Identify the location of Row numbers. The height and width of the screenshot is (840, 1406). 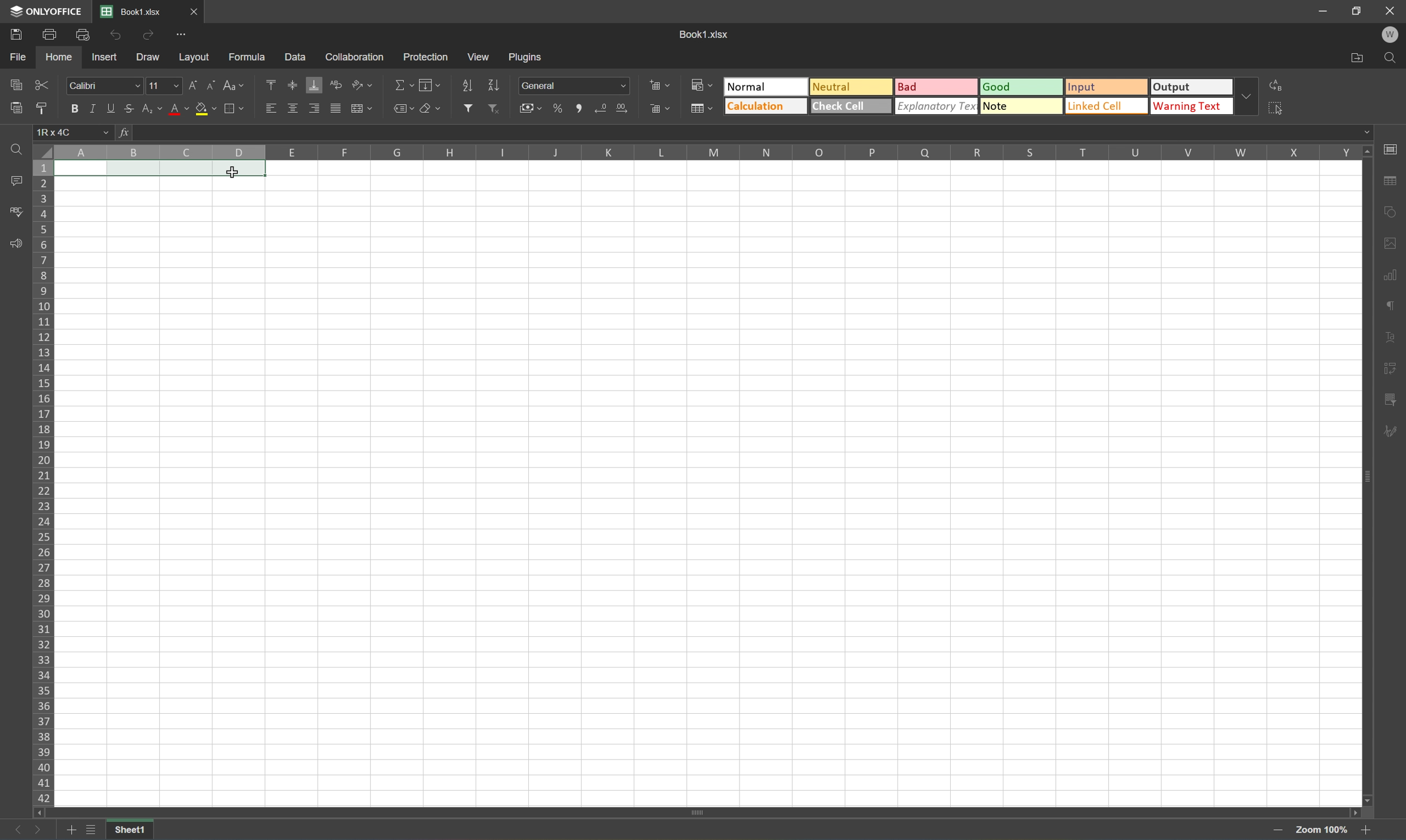
(42, 485).